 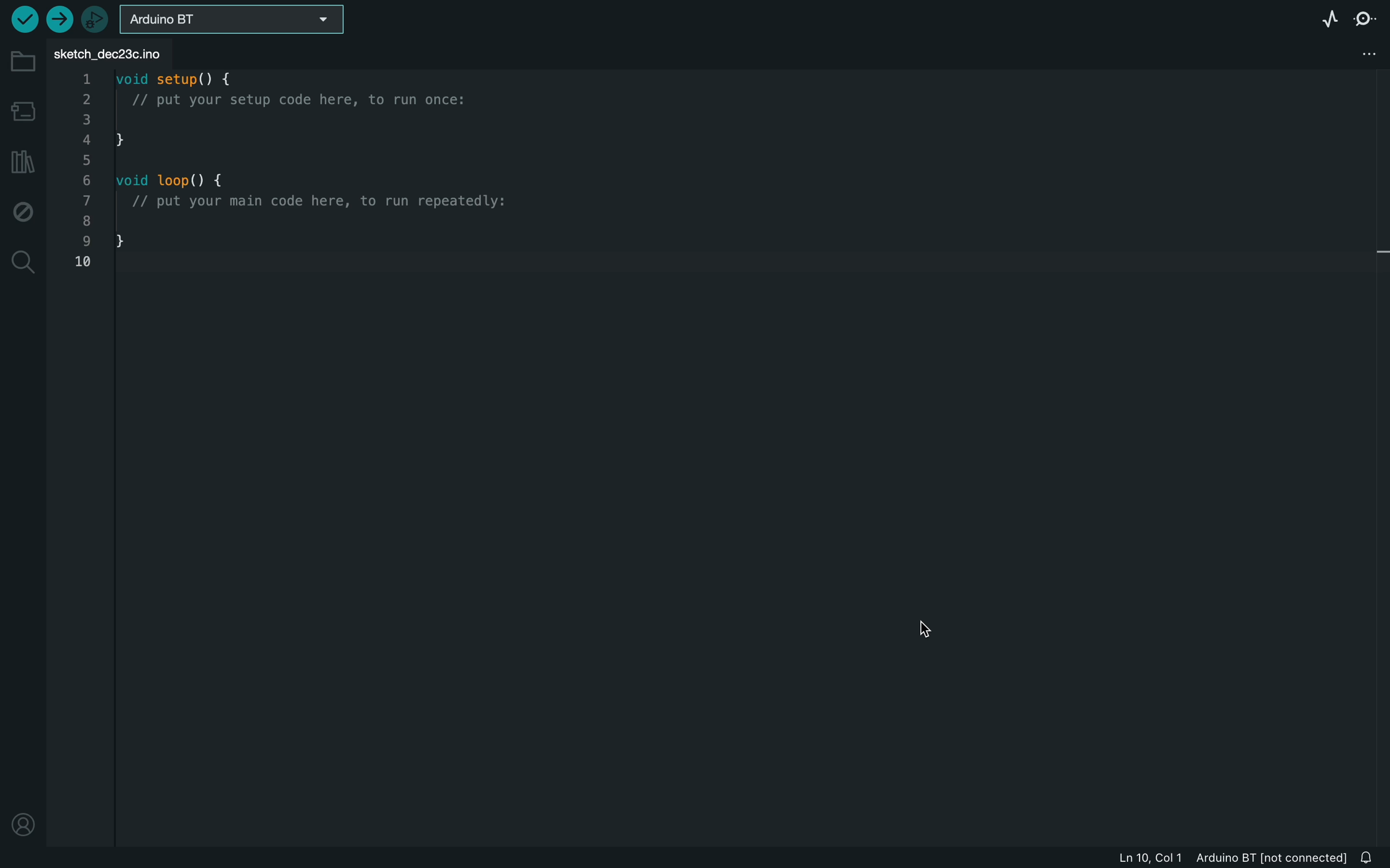 What do you see at coordinates (230, 19) in the screenshot?
I see `board selecter` at bounding box center [230, 19].